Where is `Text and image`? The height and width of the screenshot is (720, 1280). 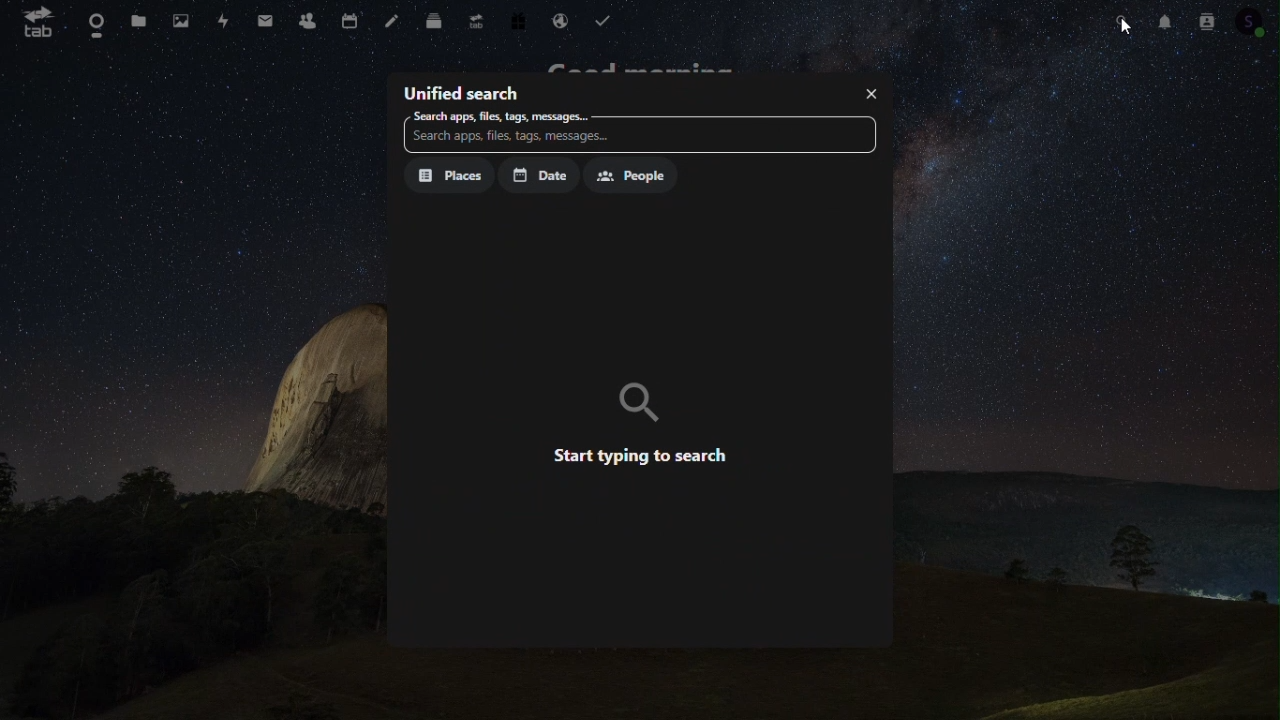 Text and image is located at coordinates (643, 420).